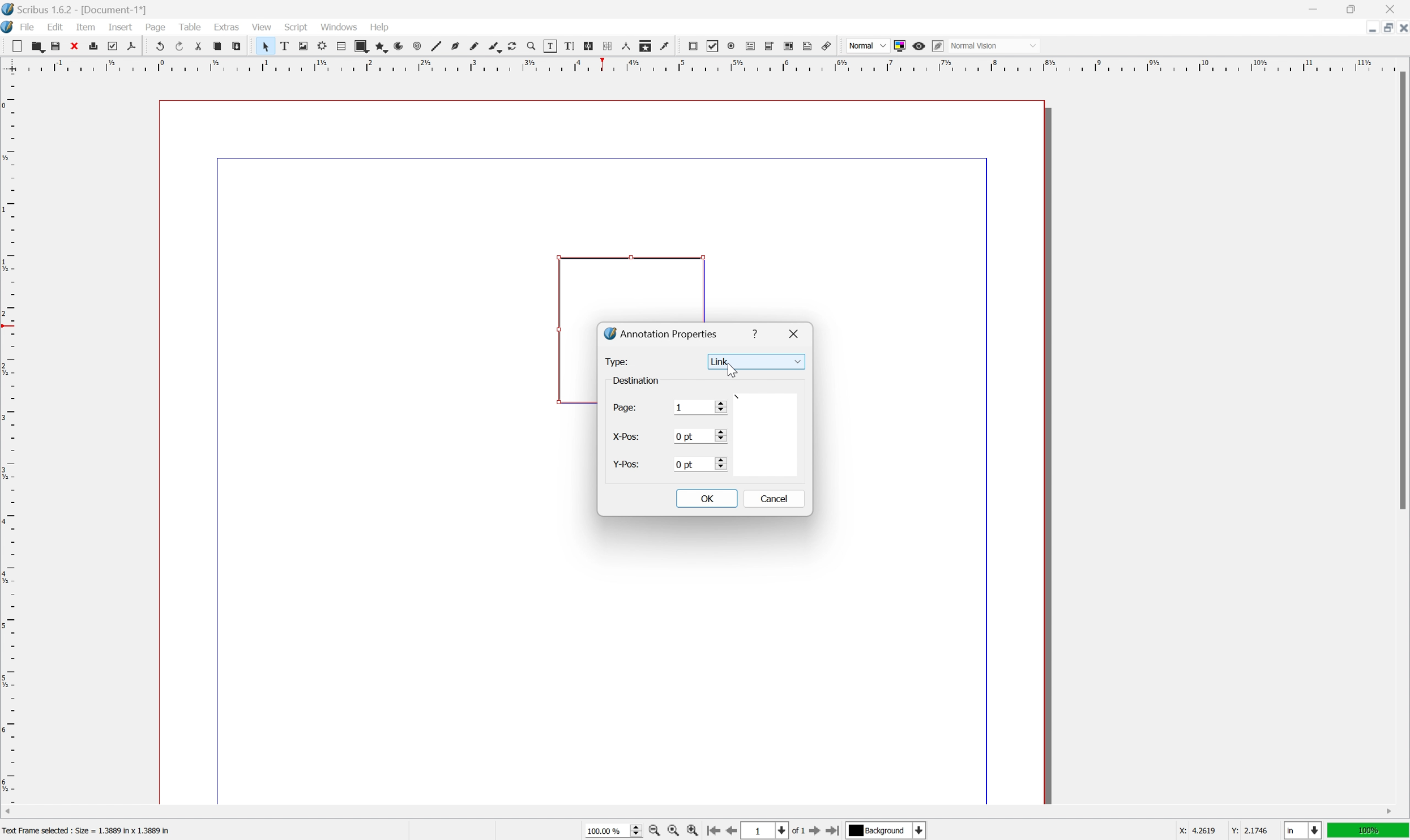 This screenshot has height=840, width=1410. I want to click on redo, so click(179, 45).